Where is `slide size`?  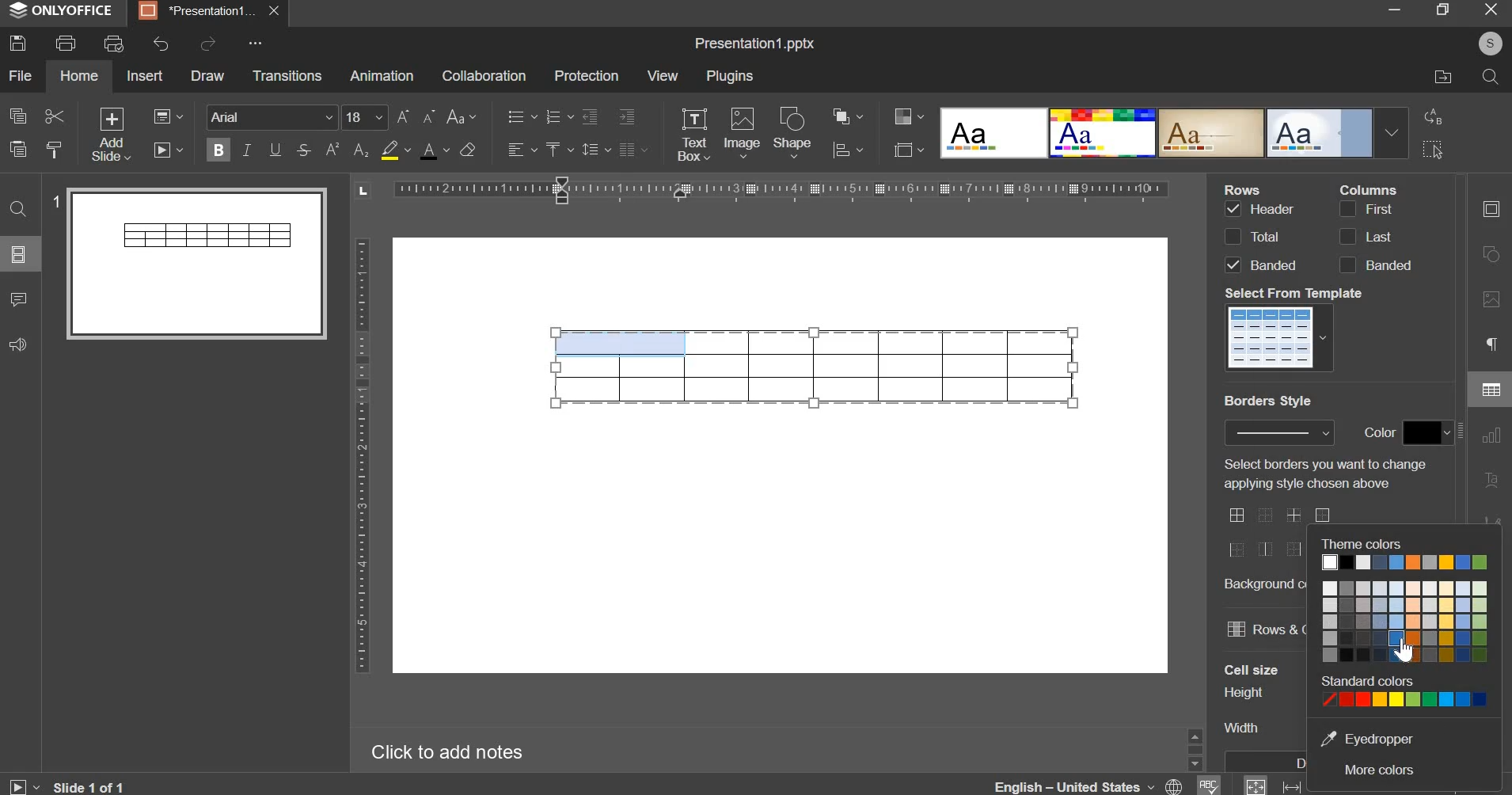 slide size is located at coordinates (908, 149).